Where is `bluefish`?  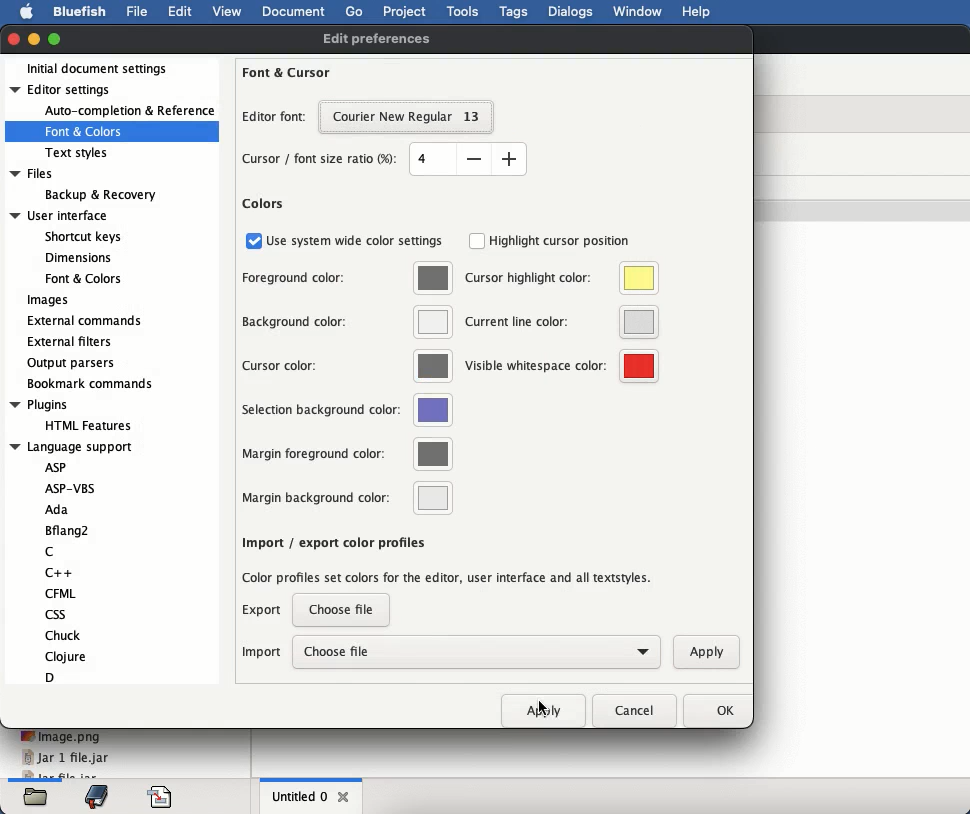
bluefish is located at coordinates (81, 14).